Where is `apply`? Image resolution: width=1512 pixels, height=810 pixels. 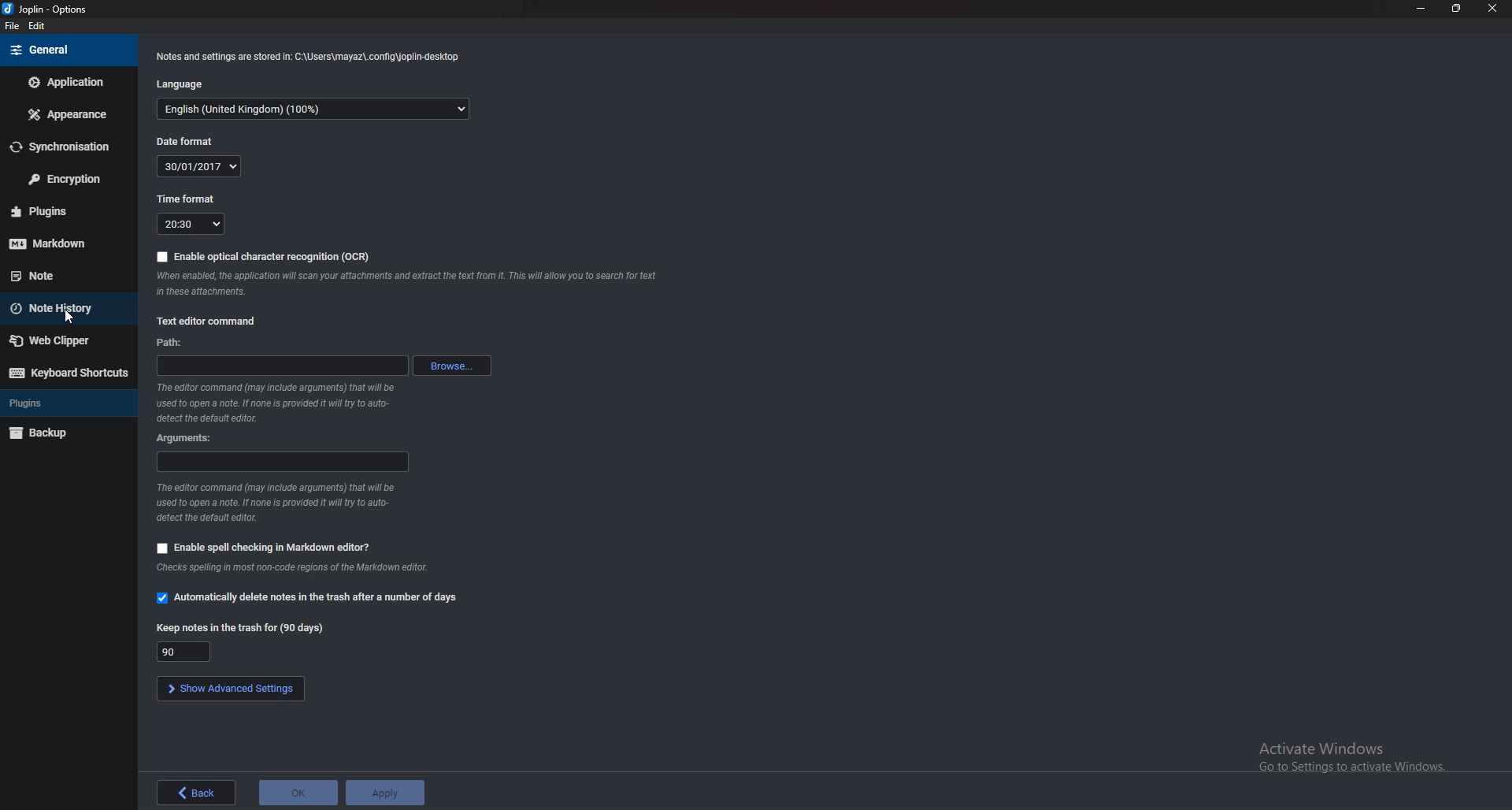 apply is located at coordinates (386, 792).